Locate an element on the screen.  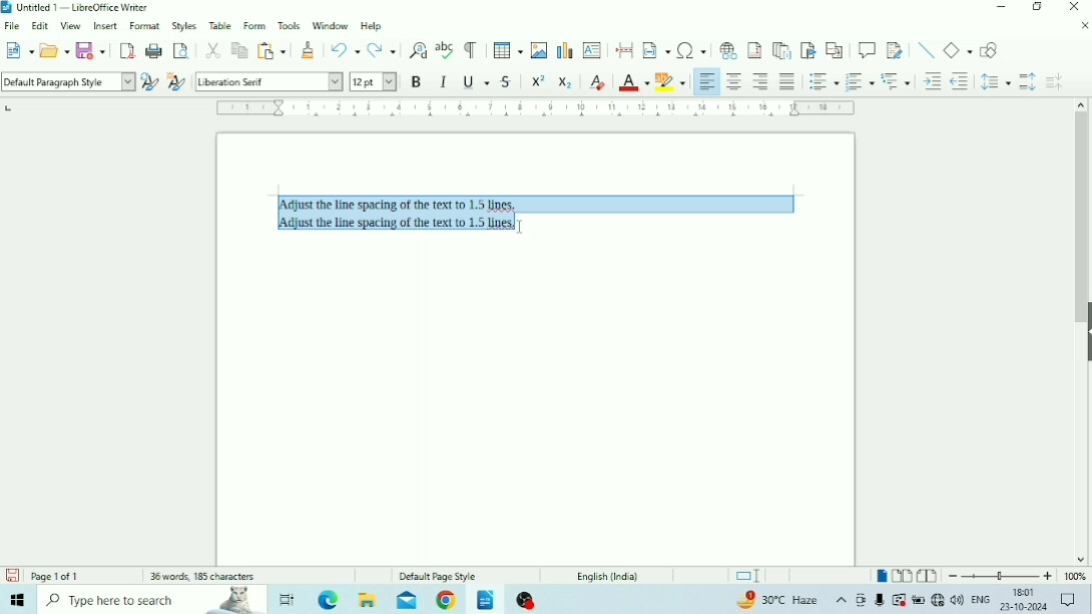
Google Chrome is located at coordinates (446, 600).